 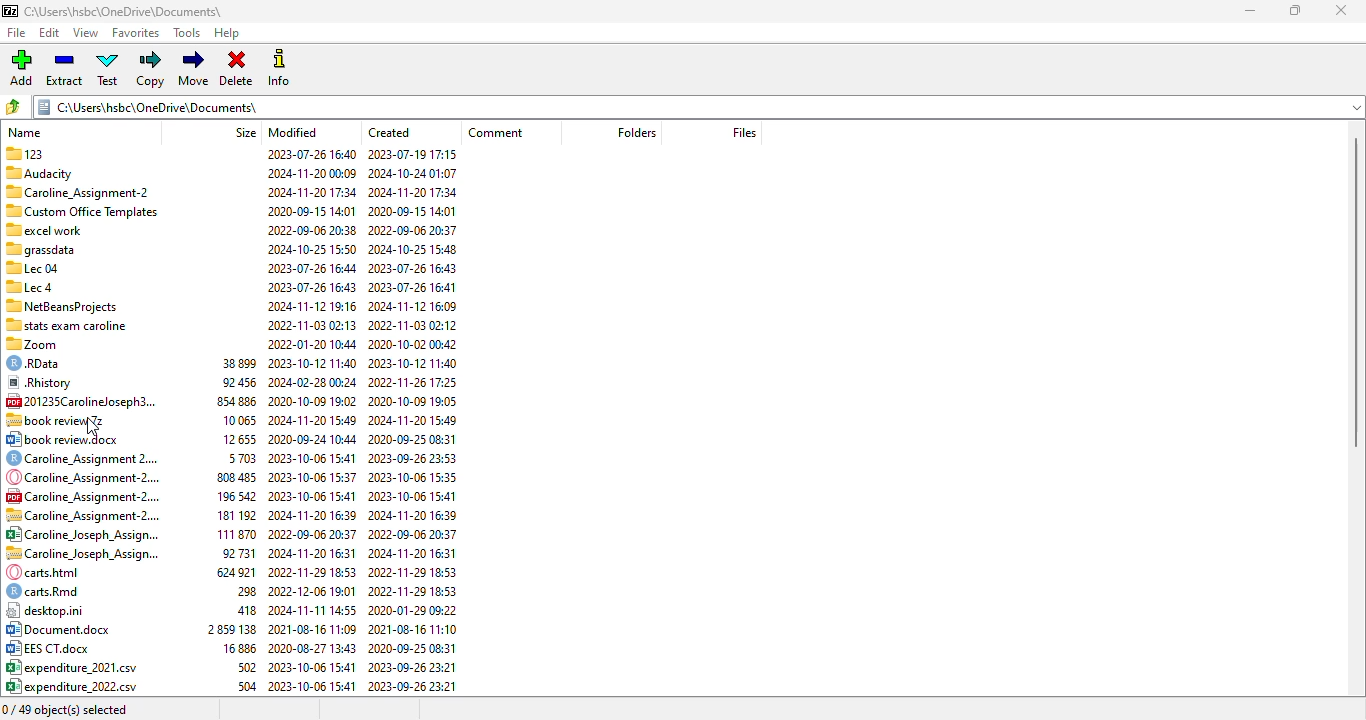 What do you see at coordinates (83, 400) in the screenshot?
I see `[4 201235Carolineloseph3.` at bounding box center [83, 400].